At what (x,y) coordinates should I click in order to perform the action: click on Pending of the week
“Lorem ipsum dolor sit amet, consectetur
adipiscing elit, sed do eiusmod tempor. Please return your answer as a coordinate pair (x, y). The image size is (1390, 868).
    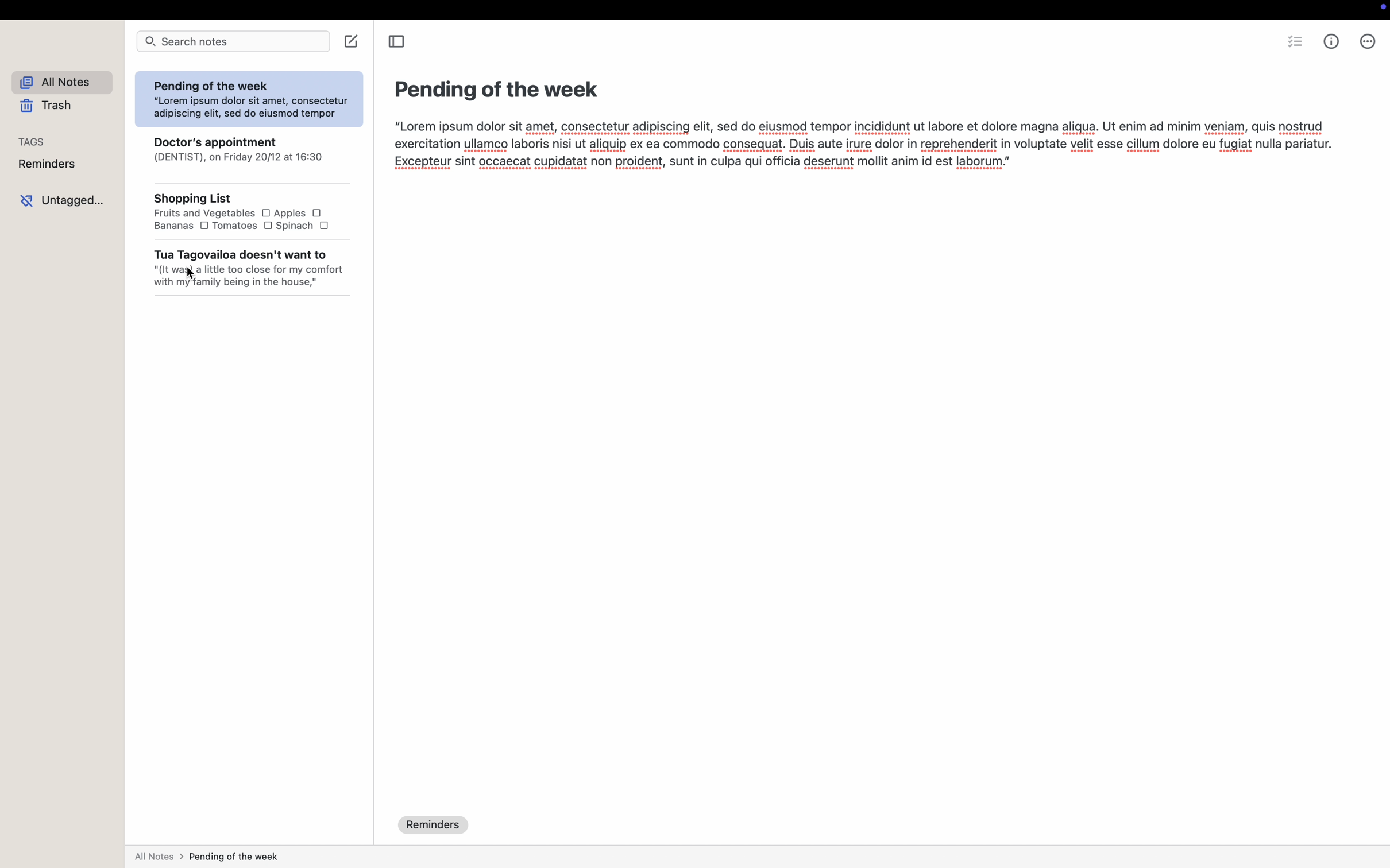
    Looking at the image, I should click on (249, 97).